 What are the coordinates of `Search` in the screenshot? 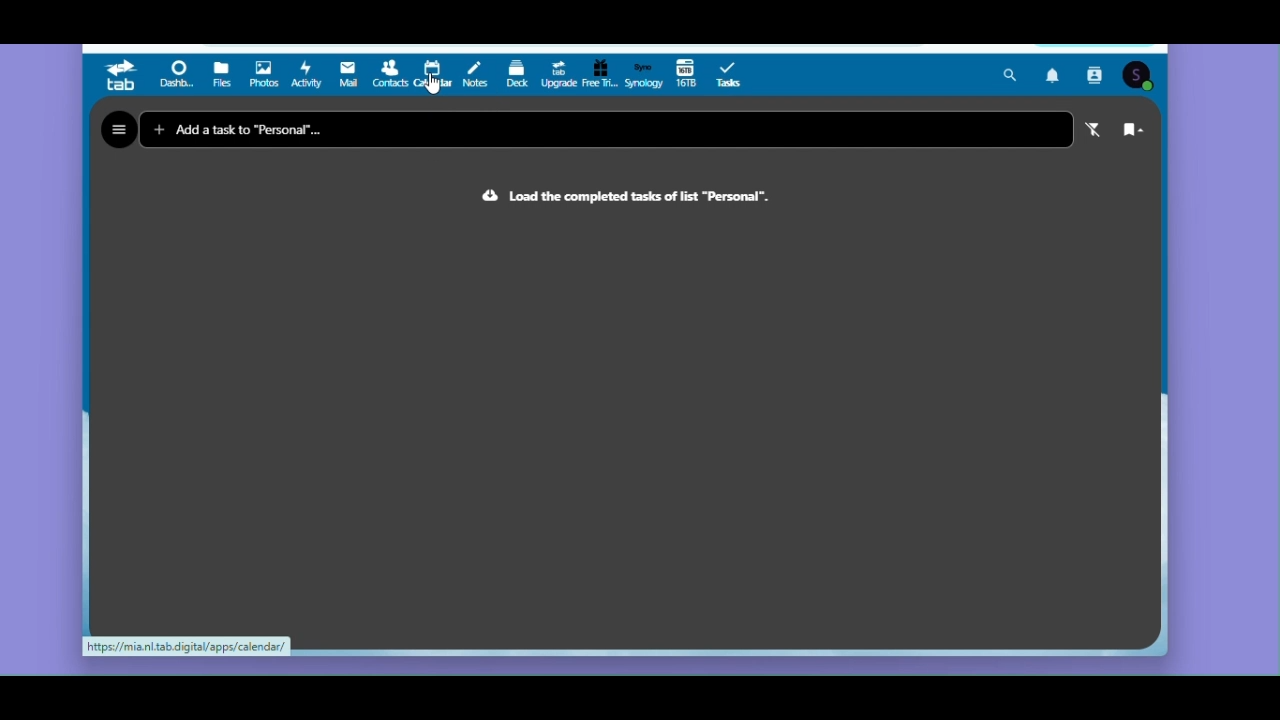 It's located at (1010, 75).